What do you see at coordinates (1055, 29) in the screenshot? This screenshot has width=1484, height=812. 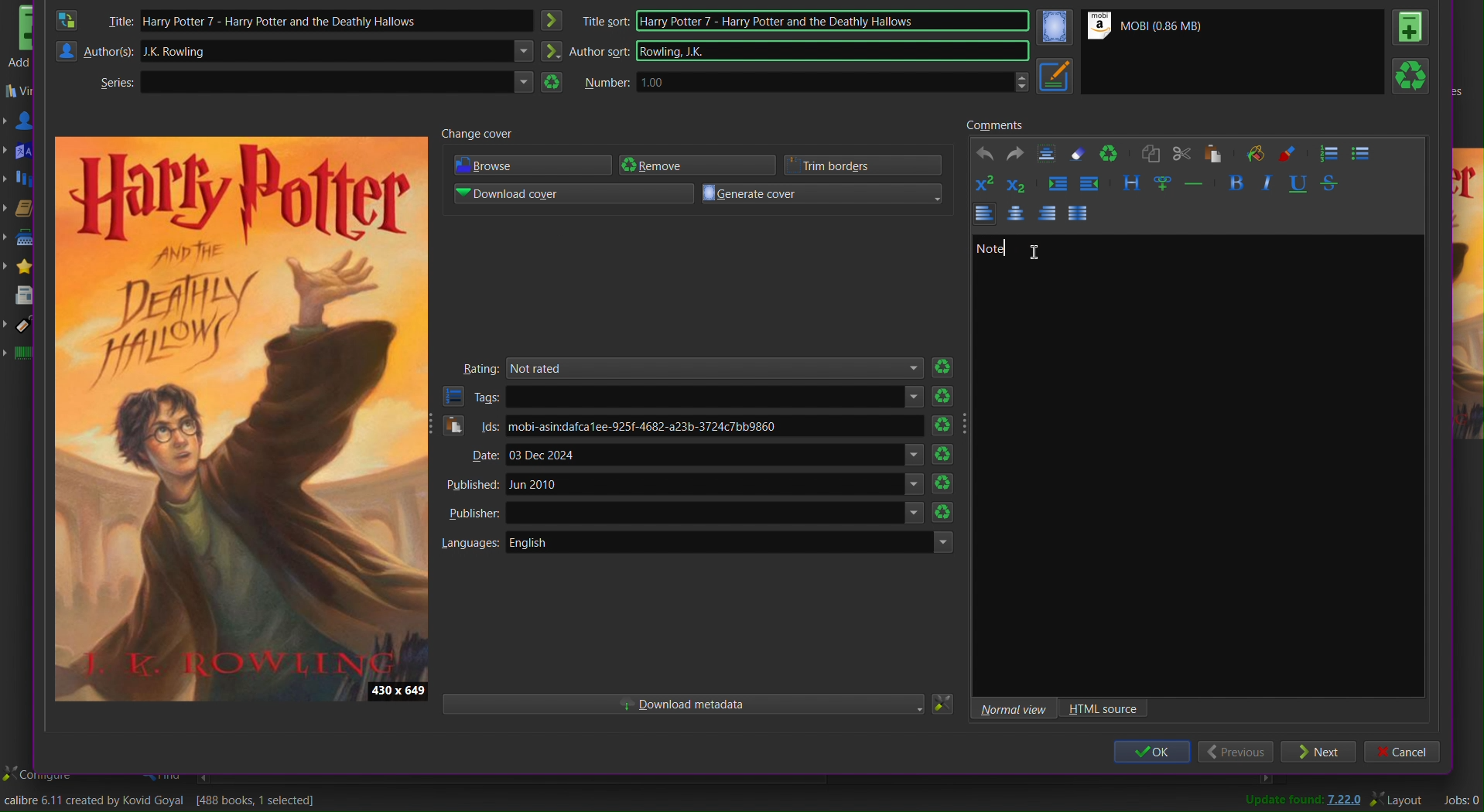 I see `Cover` at bounding box center [1055, 29].